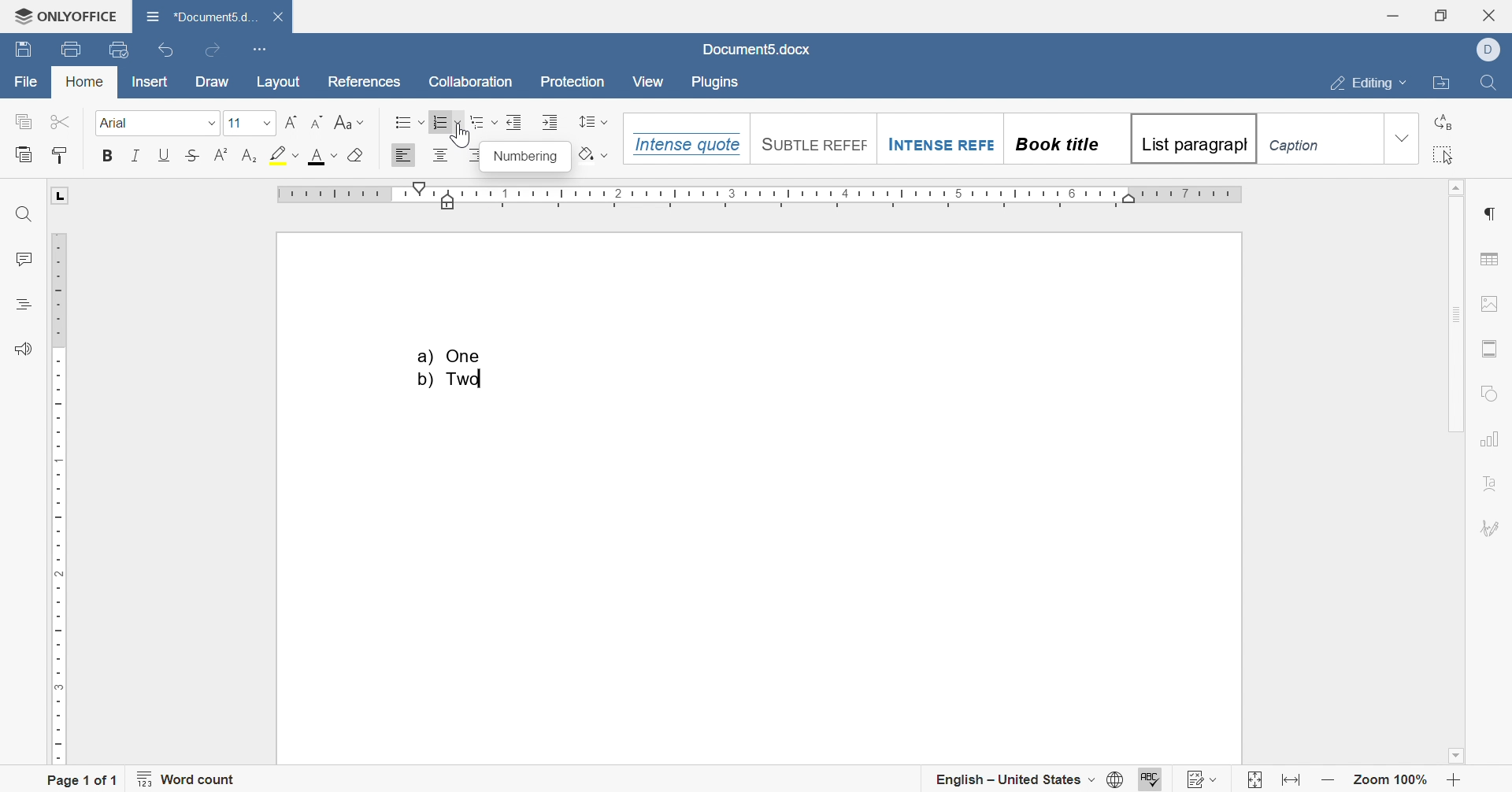  Describe the element at coordinates (713, 83) in the screenshot. I see `plugins` at that location.